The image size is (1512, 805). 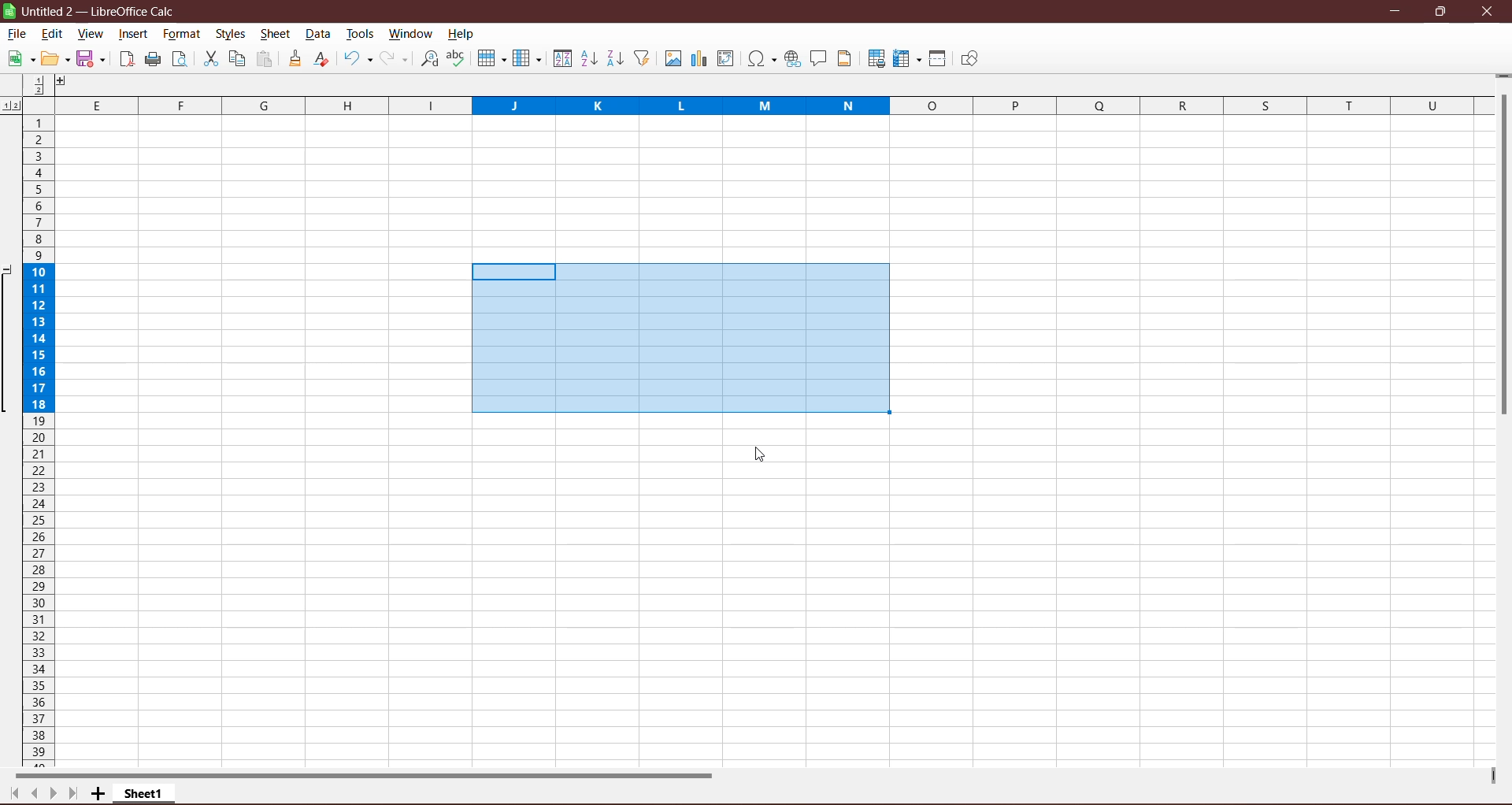 I want to click on Define Print Area, so click(x=876, y=60).